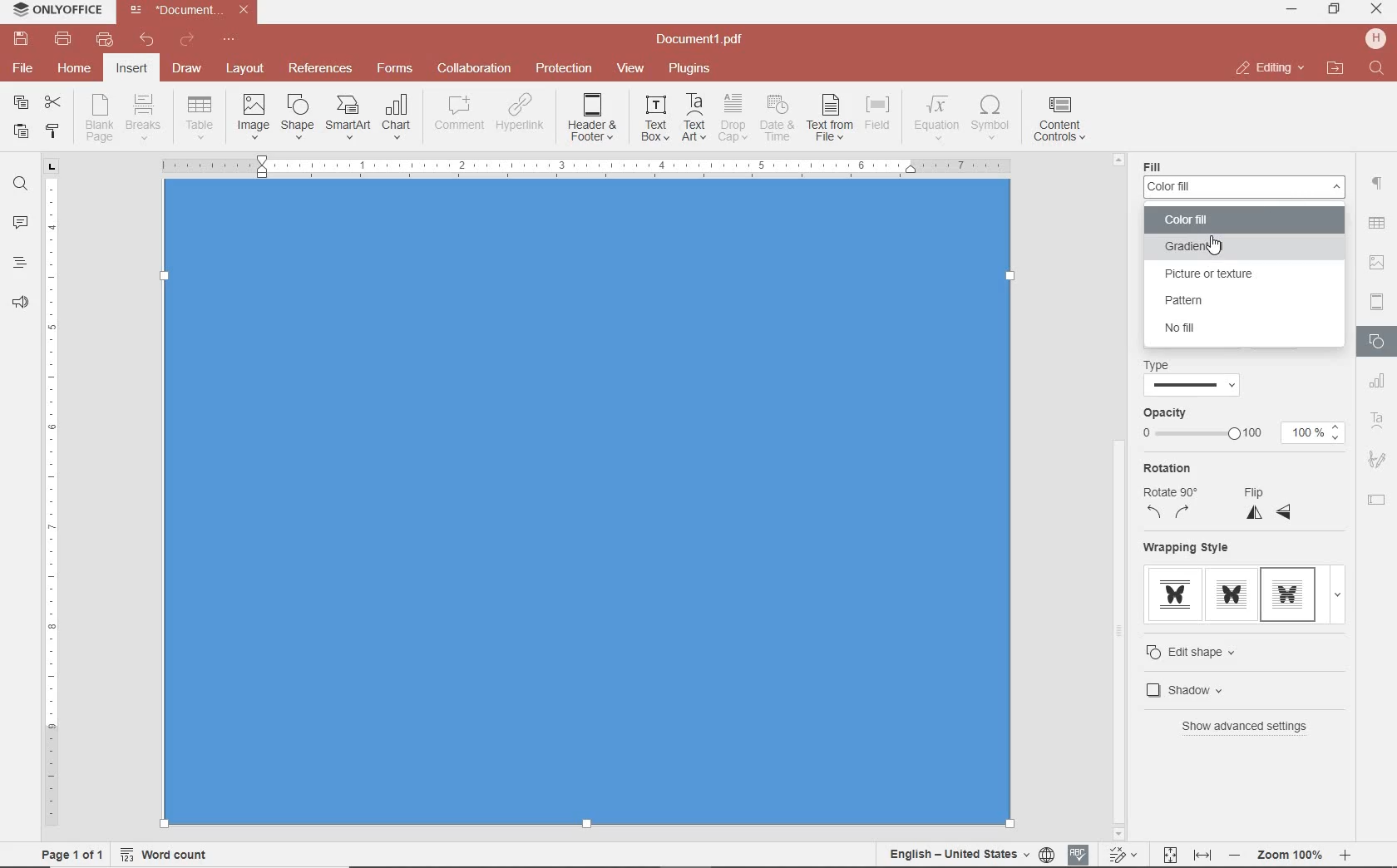  I want to click on find, so click(1379, 69).